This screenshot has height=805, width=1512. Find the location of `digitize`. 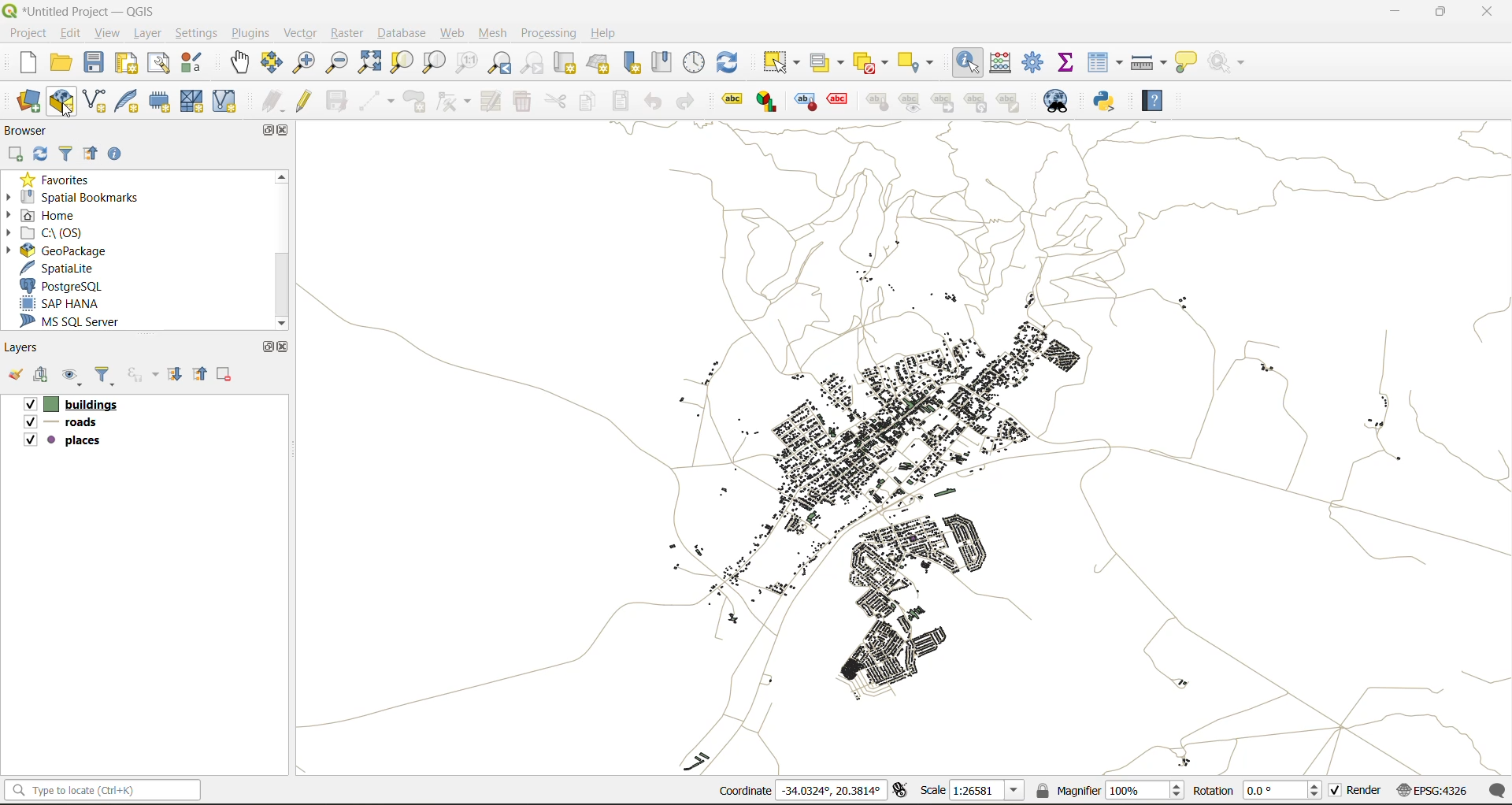

digitize is located at coordinates (378, 102).